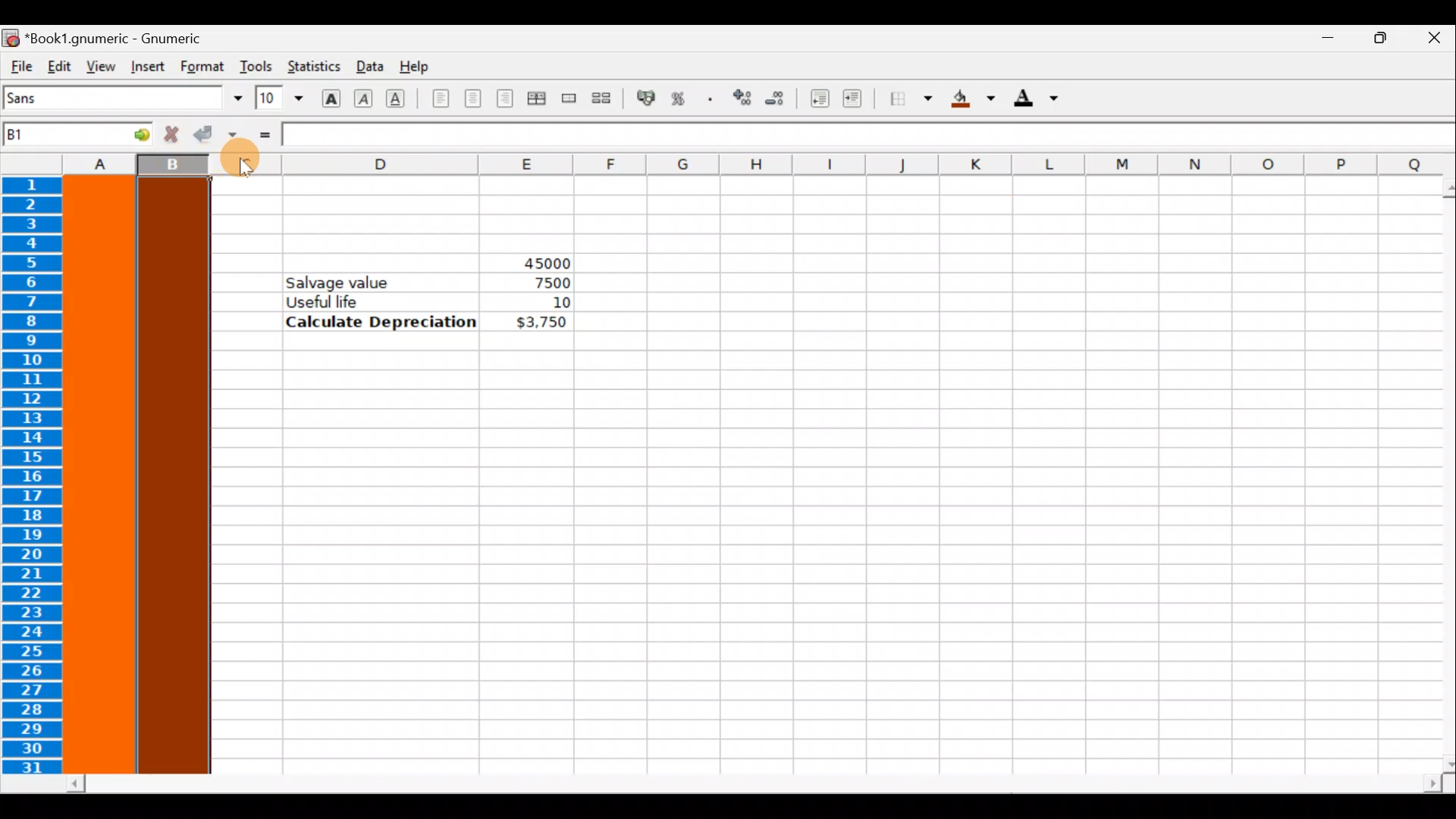 This screenshot has width=1456, height=819. What do you see at coordinates (1377, 42) in the screenshot?
I see `Maximize` at bounding box center [1377, 42].